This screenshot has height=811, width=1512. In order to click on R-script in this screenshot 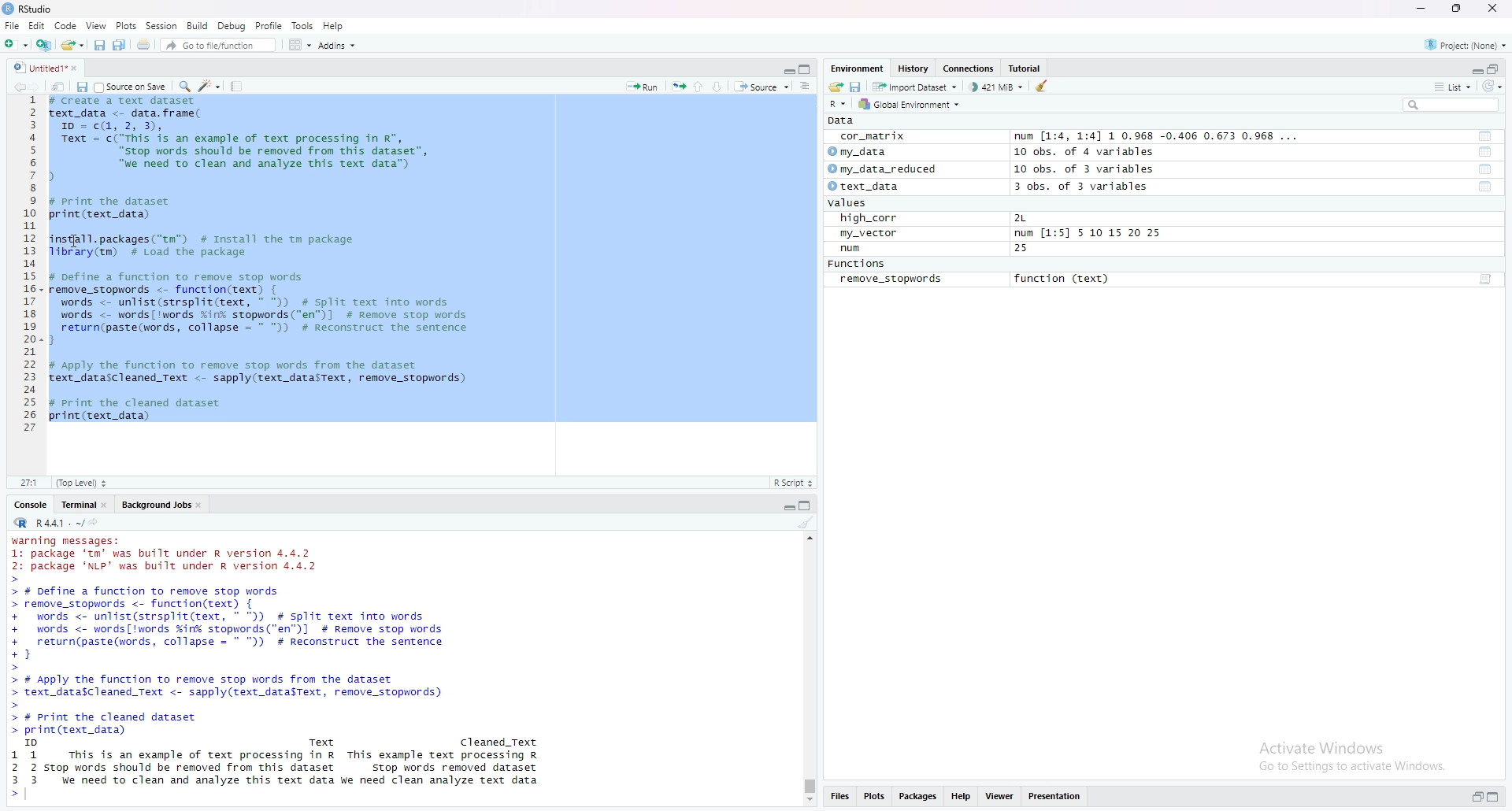, I will do `click(796, 482)`.